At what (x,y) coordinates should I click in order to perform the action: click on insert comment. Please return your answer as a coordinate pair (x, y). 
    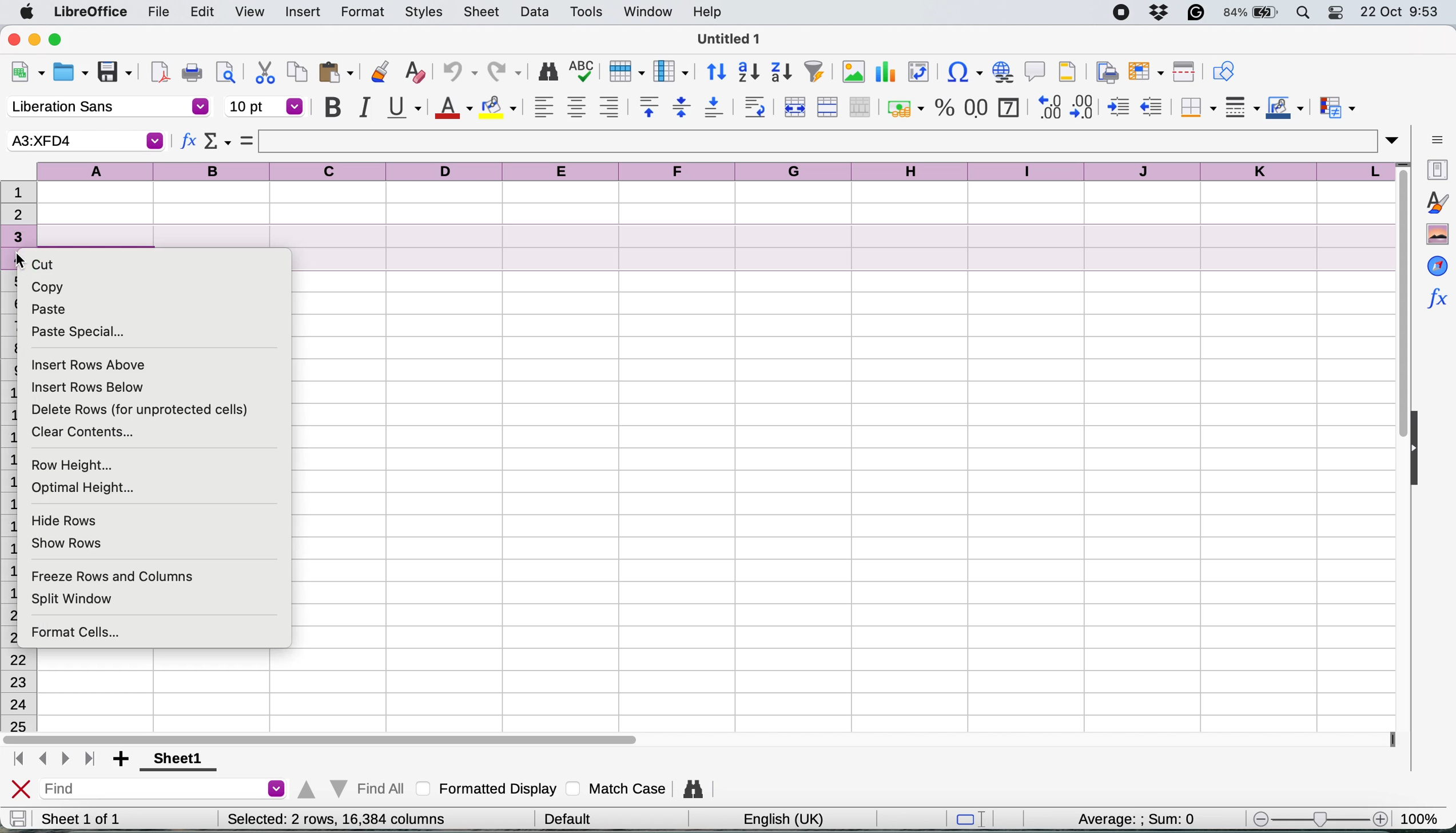
    Looking at the image, I should click on (1036, 71).